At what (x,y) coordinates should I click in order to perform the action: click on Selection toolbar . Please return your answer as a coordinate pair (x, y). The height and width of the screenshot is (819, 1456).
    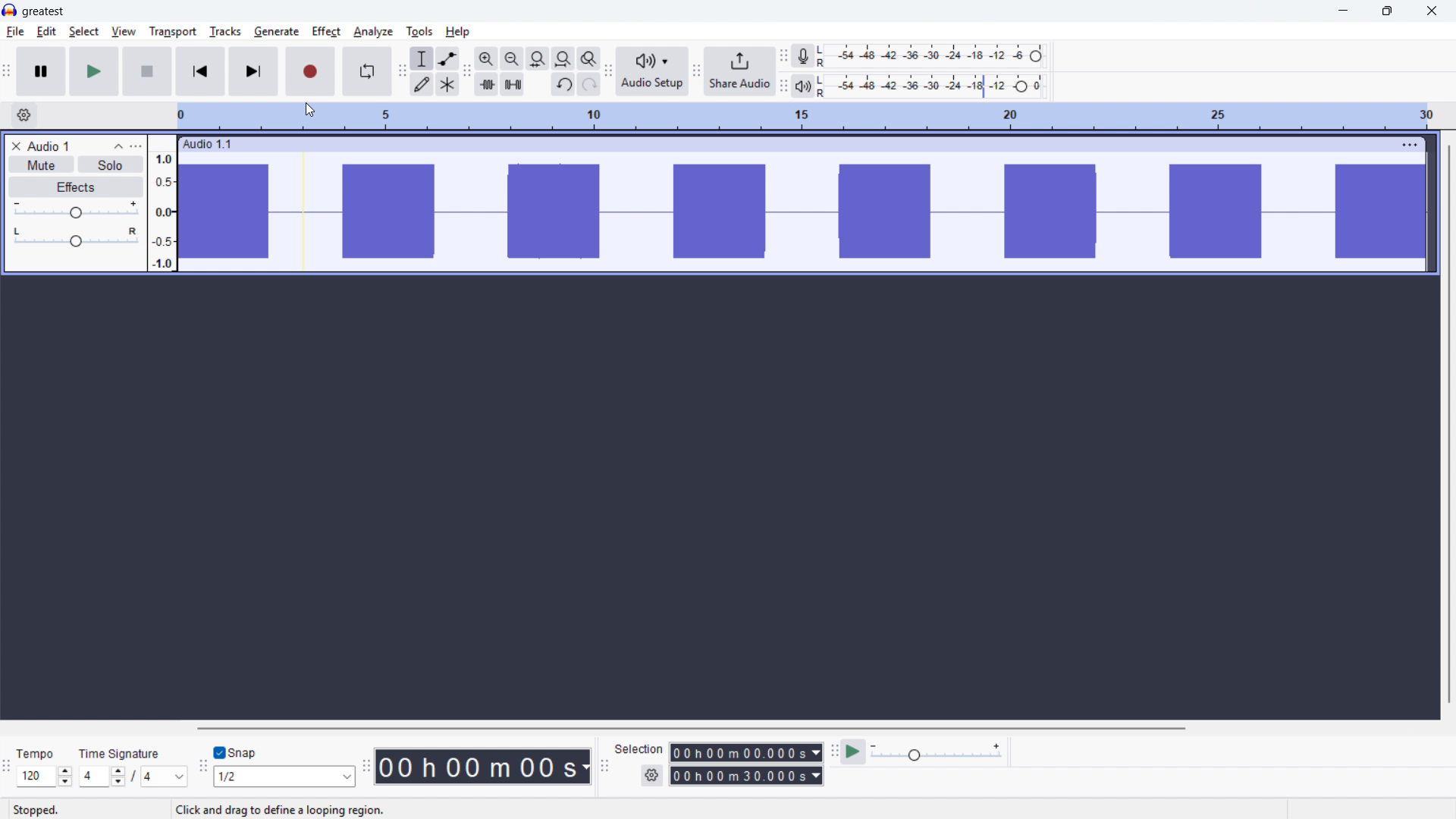
    Looking at the image, I should click on (605, 767).